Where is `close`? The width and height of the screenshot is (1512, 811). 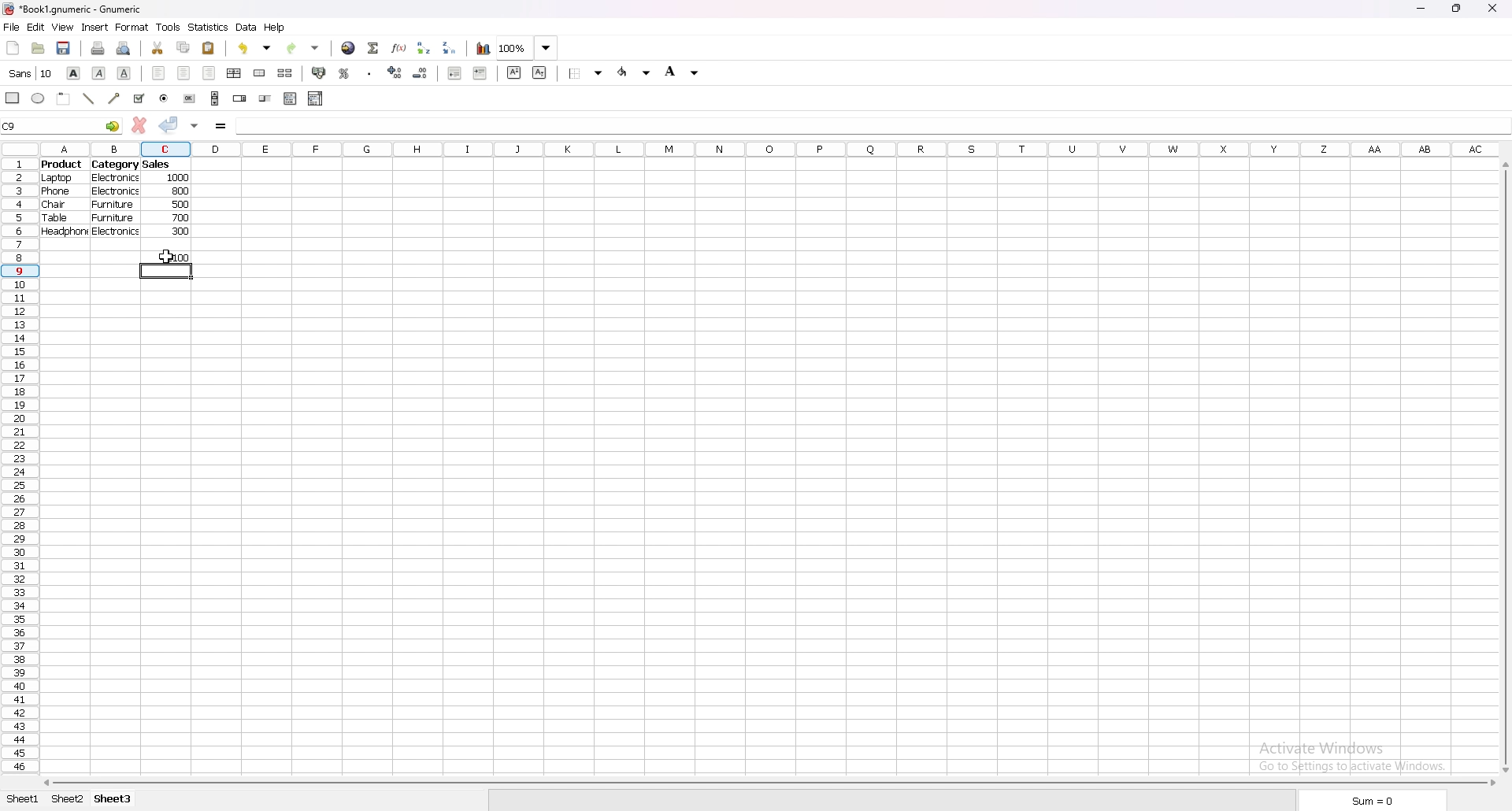
close is located at coordinates (1492, 9).